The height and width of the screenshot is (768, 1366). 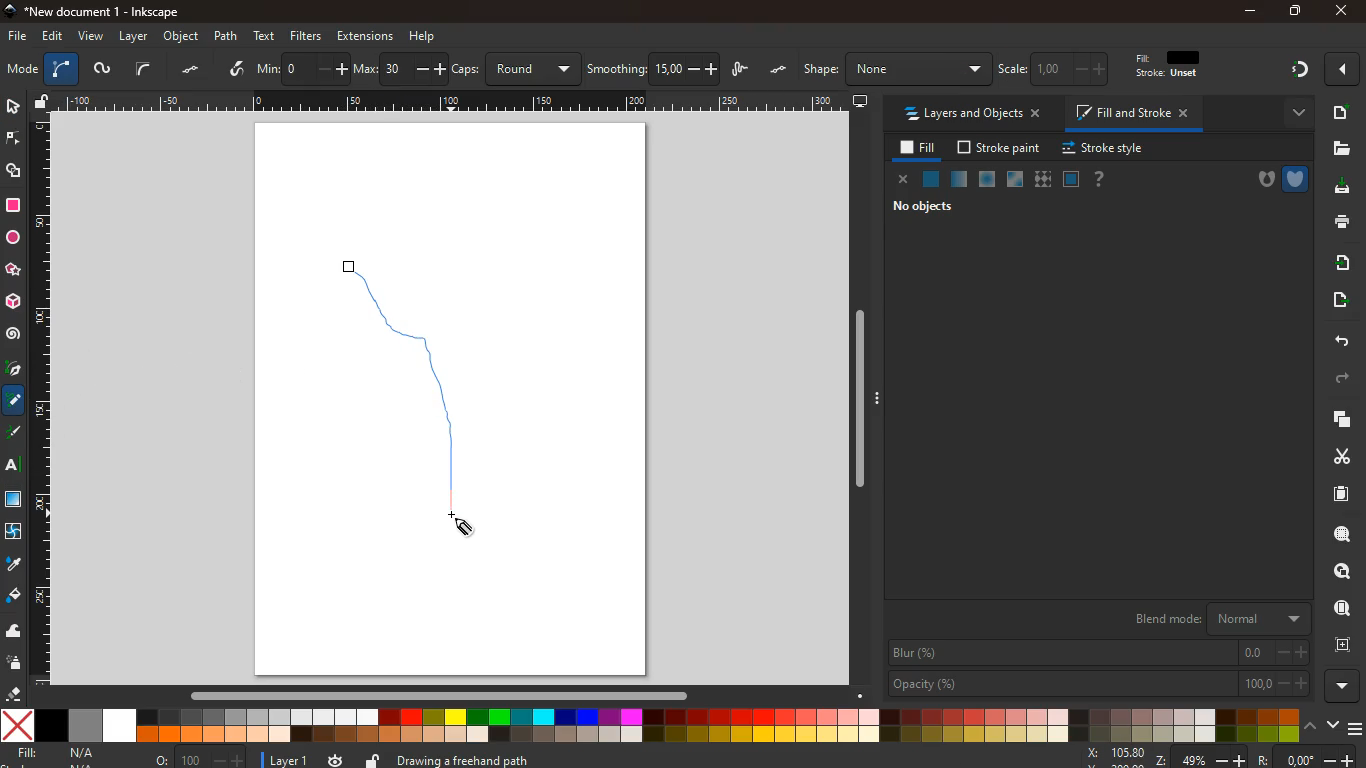 What do you see at coordinates (443, 694) in the screenshot?
I see `horizontal slider` at bounding box center [443, 694].